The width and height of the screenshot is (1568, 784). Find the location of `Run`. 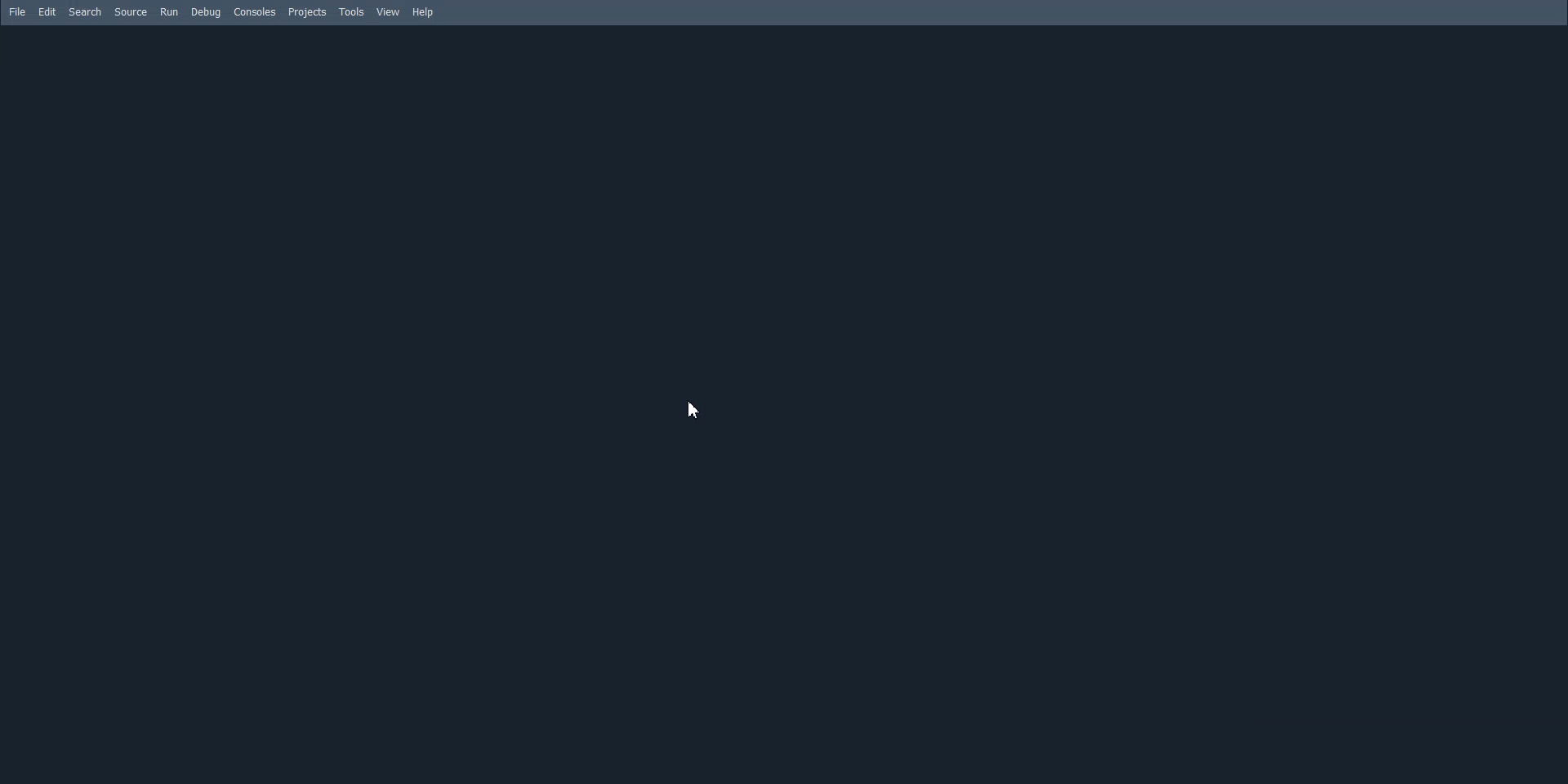

Run is located at coordinates (168, 11).